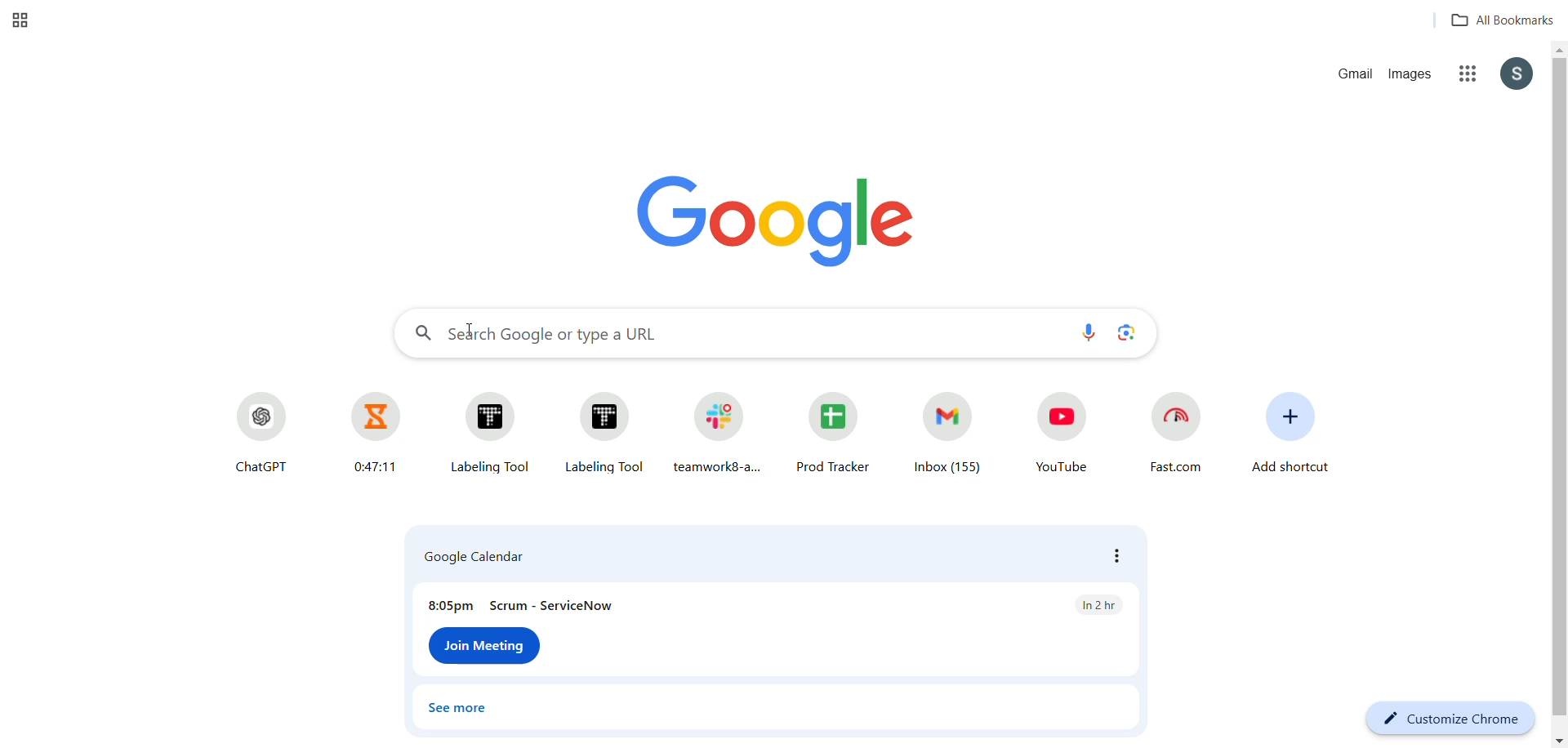 Image resolution: width=1568 pixels, height=748 pixels. I want to click on 0:47:11, so click(370, 433).